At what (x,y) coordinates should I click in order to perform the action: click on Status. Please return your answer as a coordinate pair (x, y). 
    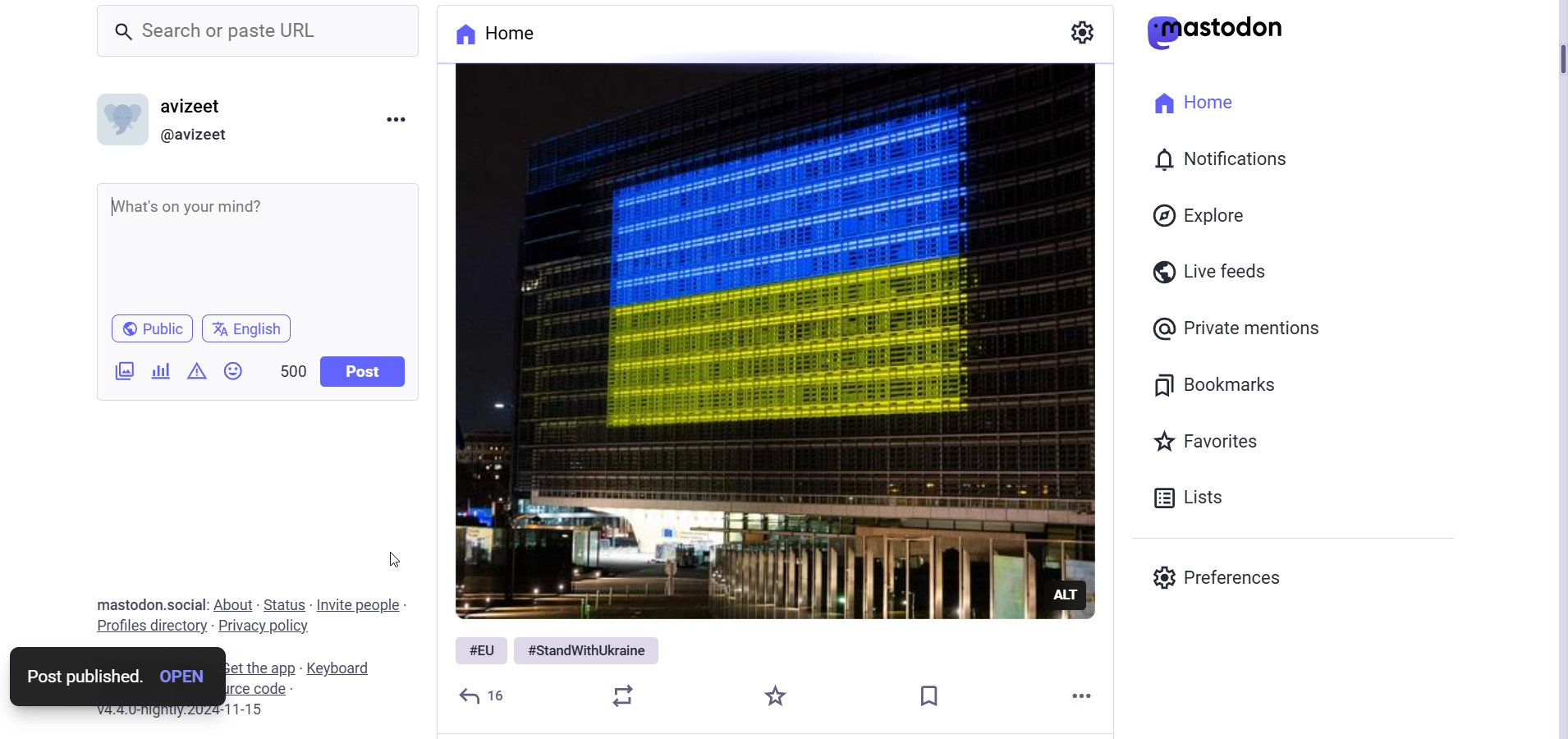
    Looking at the image, I should click on (285, 604).